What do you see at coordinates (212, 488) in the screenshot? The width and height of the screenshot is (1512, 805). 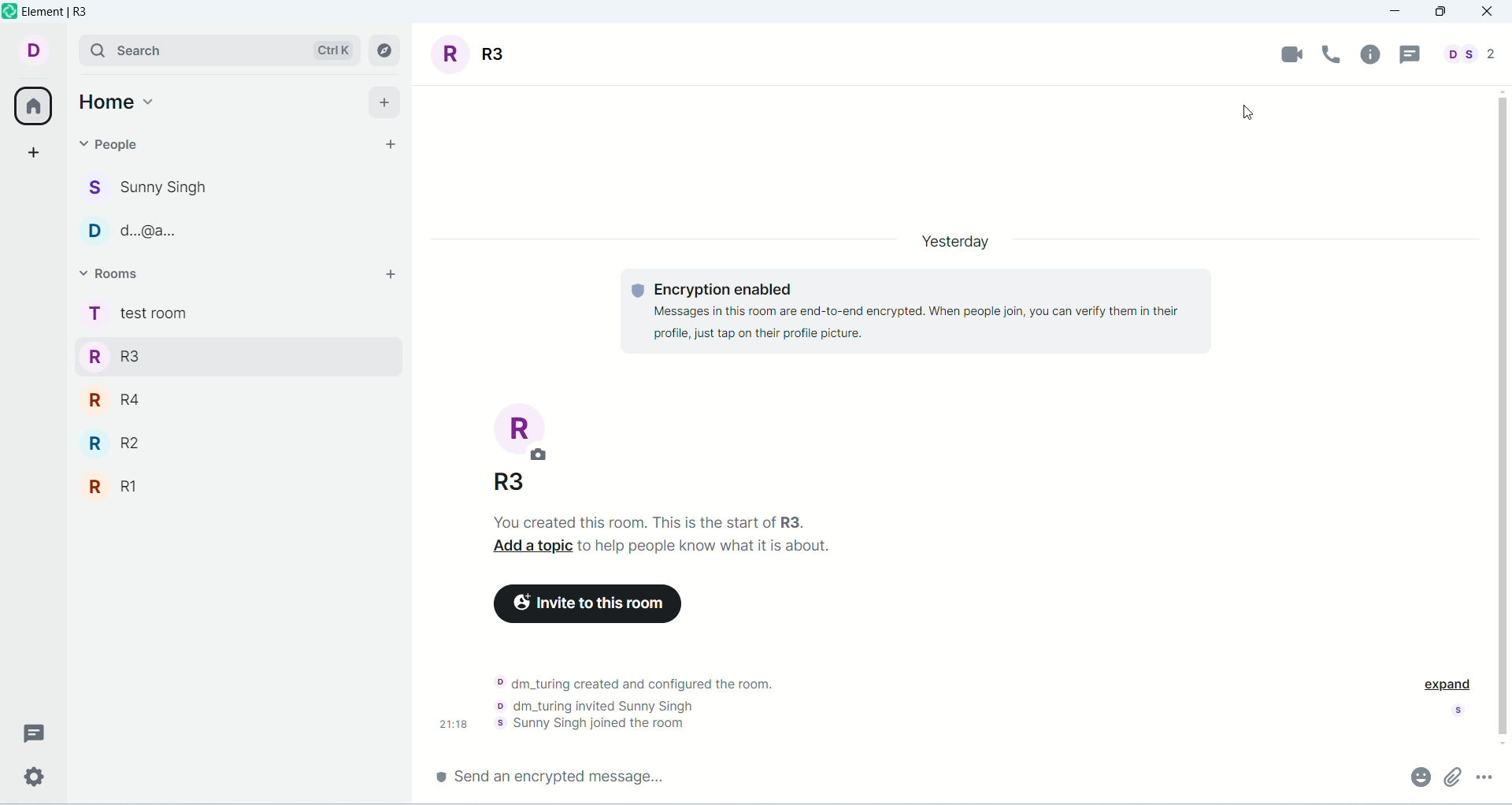 I see `R1` at bounding box center [212, 488].